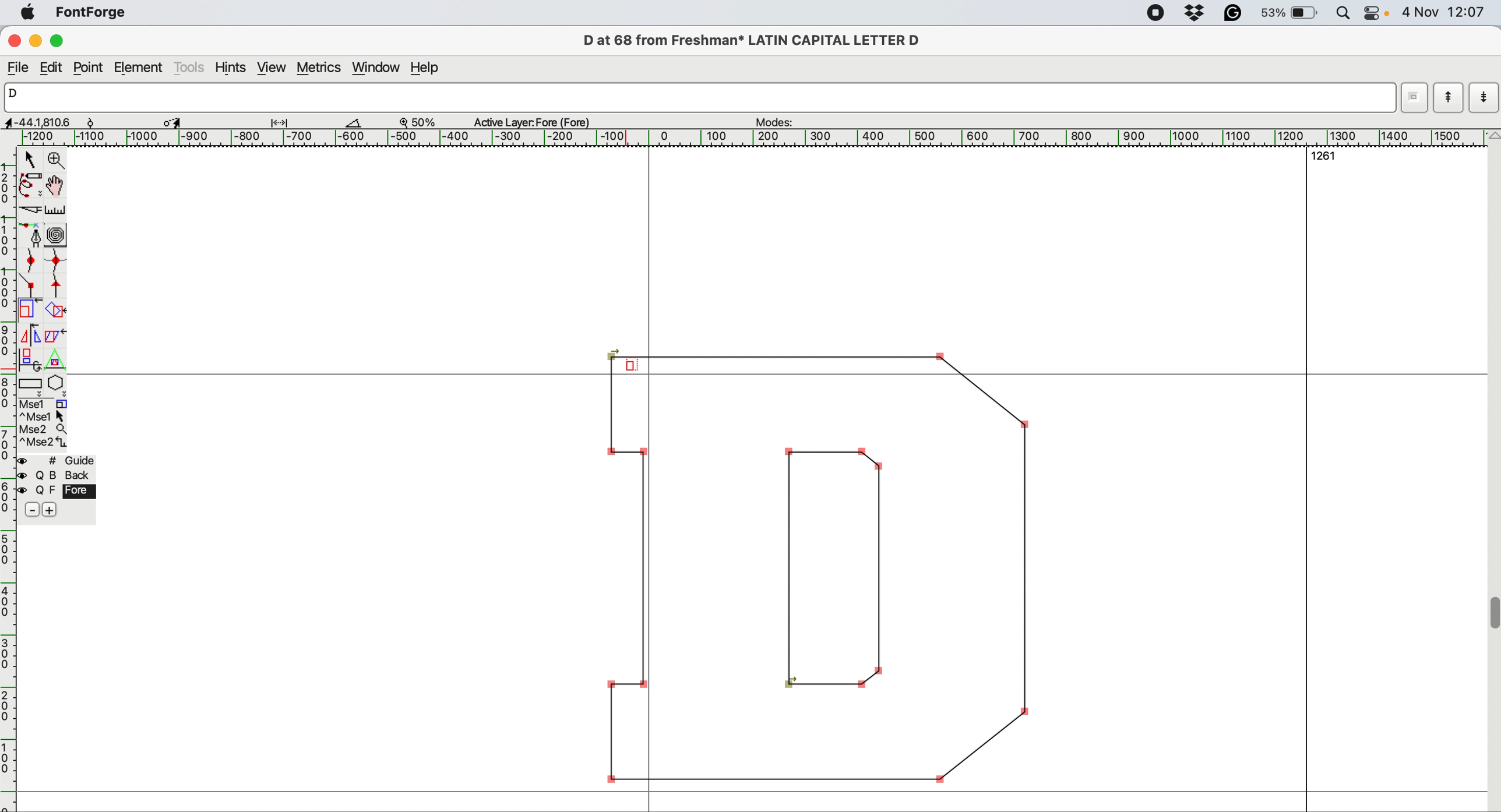 This screenshot has width=1501, height=812. What do you see at coordinates (320, 69) in the screenshot?
I see `metrics` at bounding box center [320, 69].